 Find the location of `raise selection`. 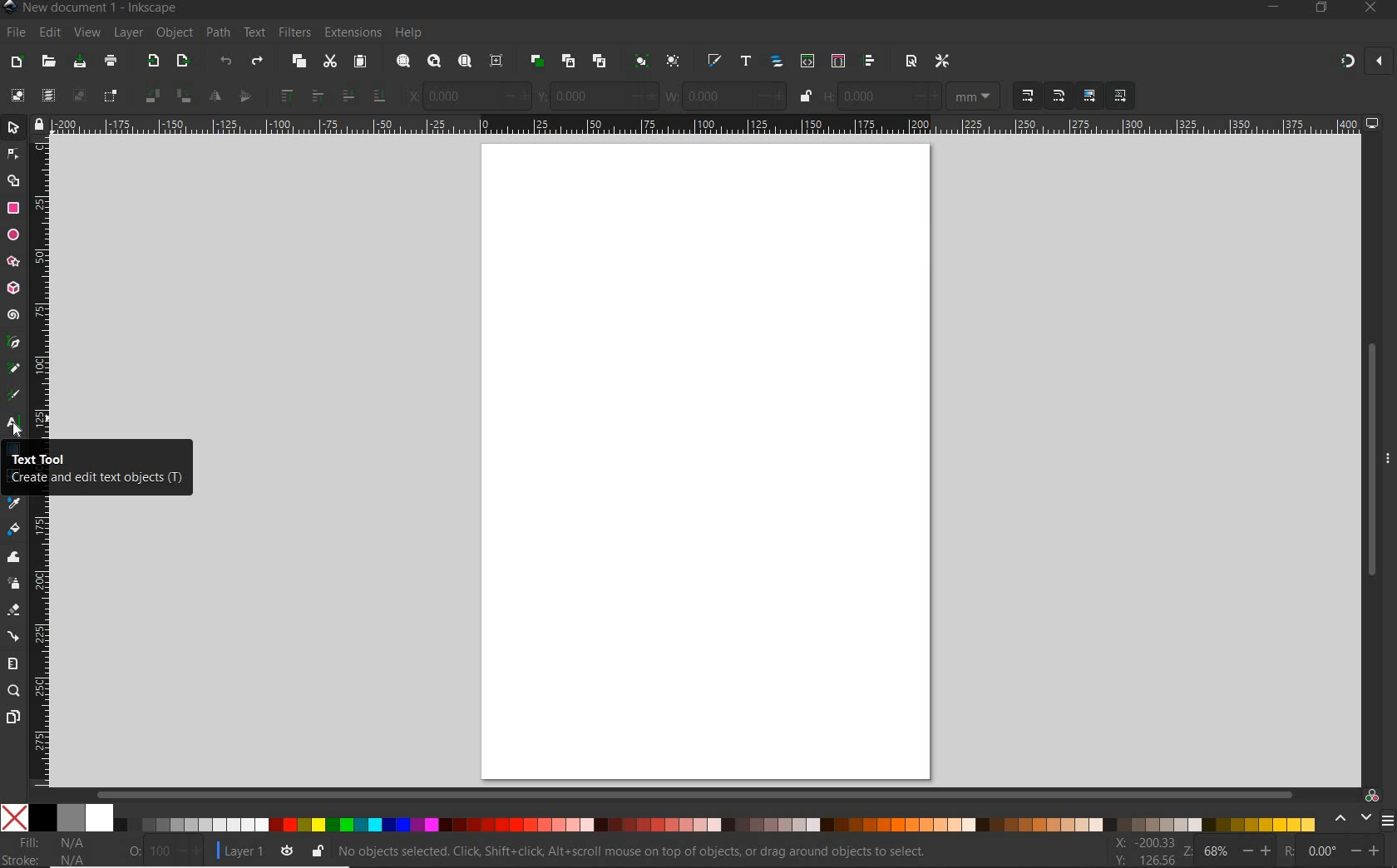

raise selection is located at coordinates (316, 95).